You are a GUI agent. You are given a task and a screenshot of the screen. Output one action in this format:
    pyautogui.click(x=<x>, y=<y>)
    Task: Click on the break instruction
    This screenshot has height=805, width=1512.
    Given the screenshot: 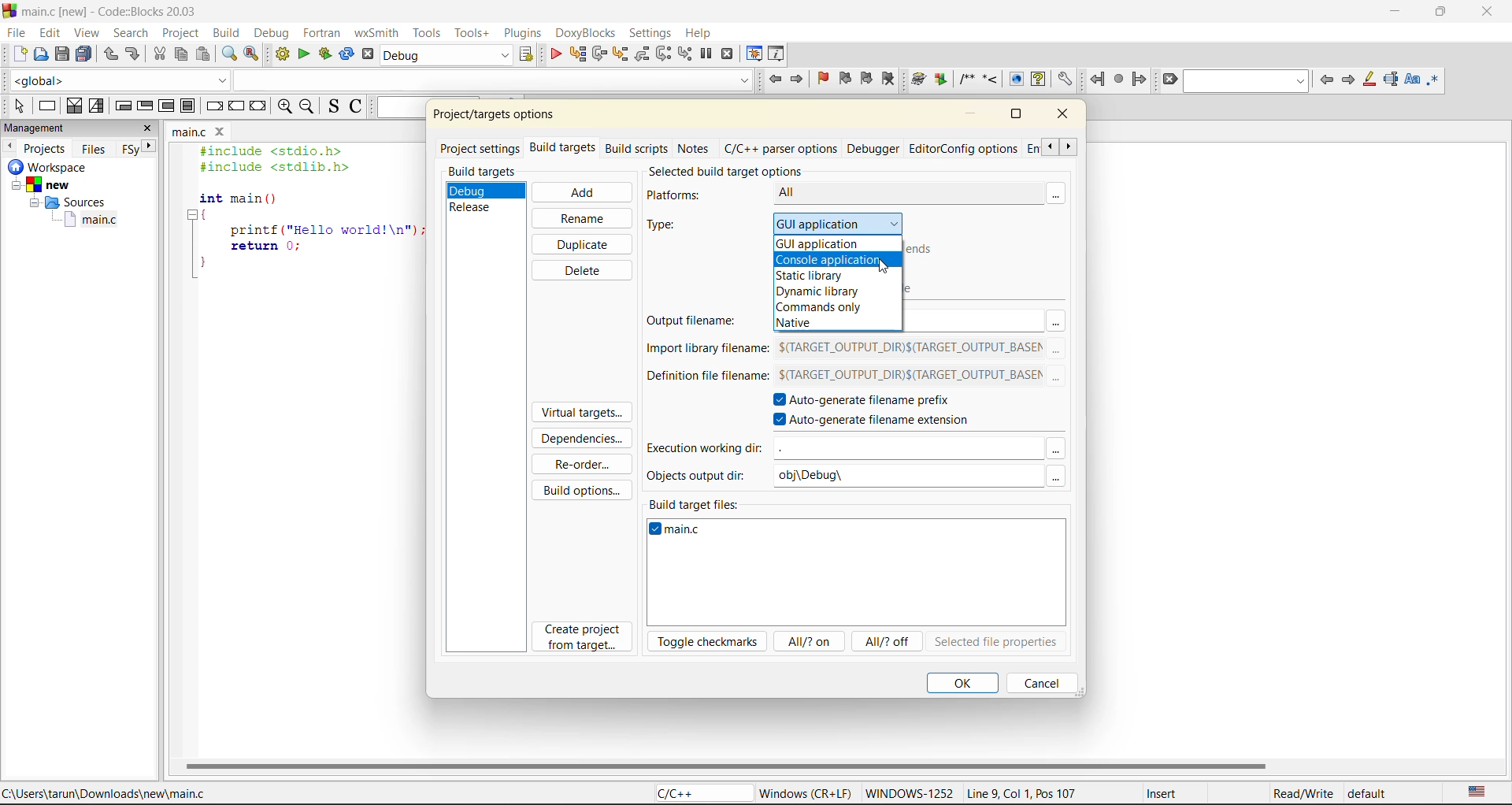 What is the action you would take?
    pyautogui.click(x=187, y=106)
    